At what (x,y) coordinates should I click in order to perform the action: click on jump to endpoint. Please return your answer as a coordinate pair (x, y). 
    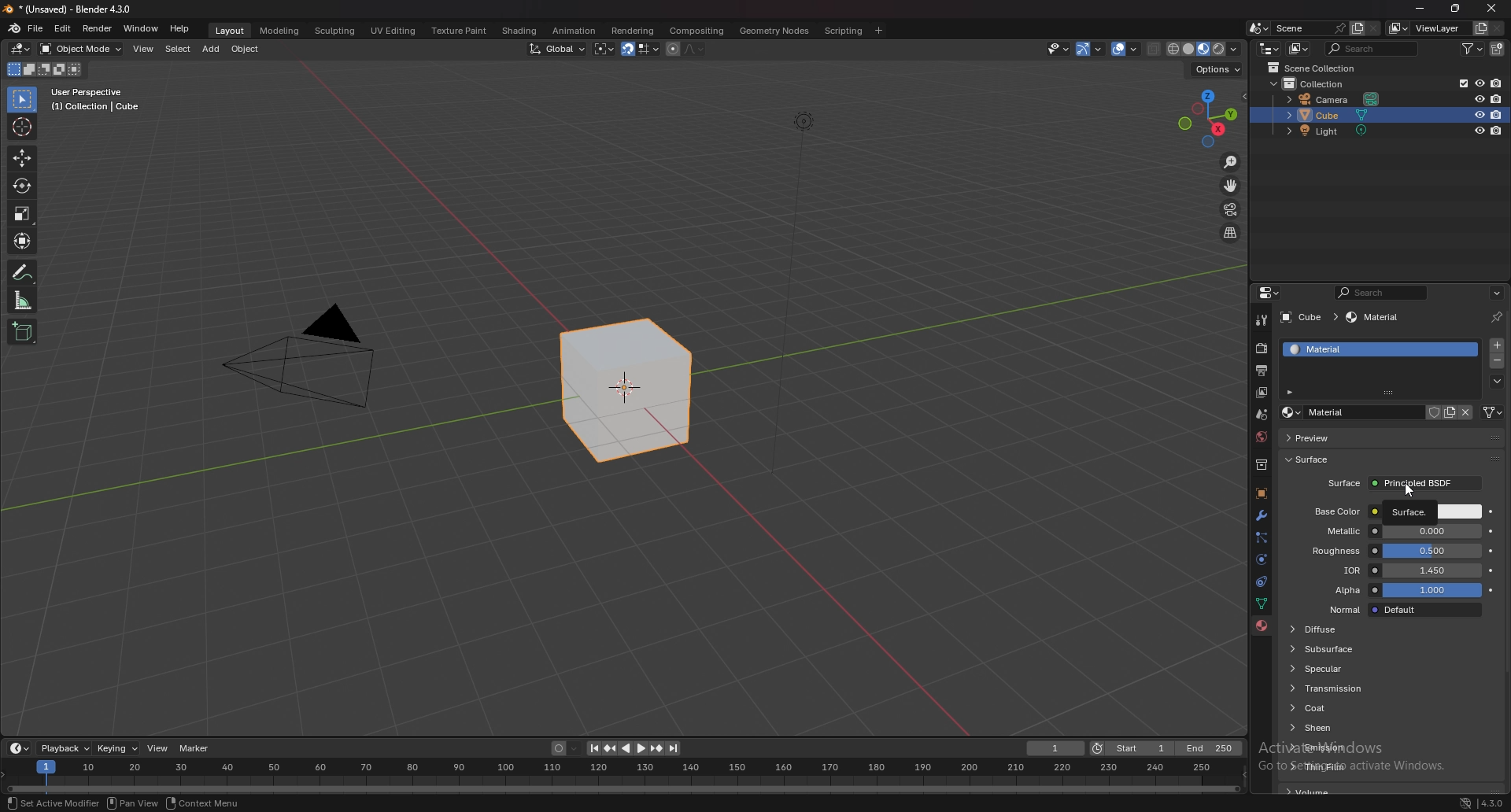
    Looking at the image, I should click on (674, 748).